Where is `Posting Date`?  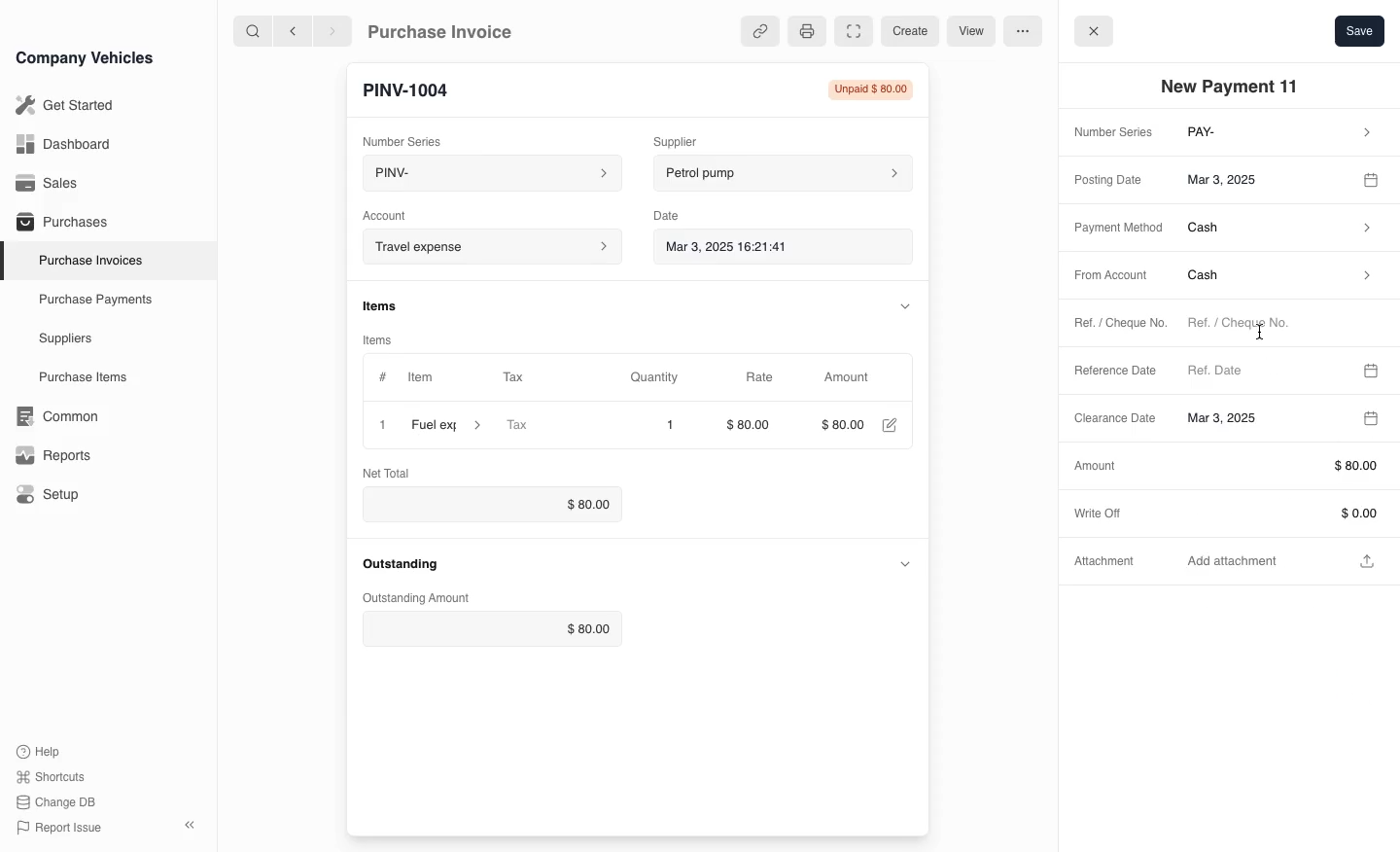 Posting Date is located at coordinates (1111, 178).